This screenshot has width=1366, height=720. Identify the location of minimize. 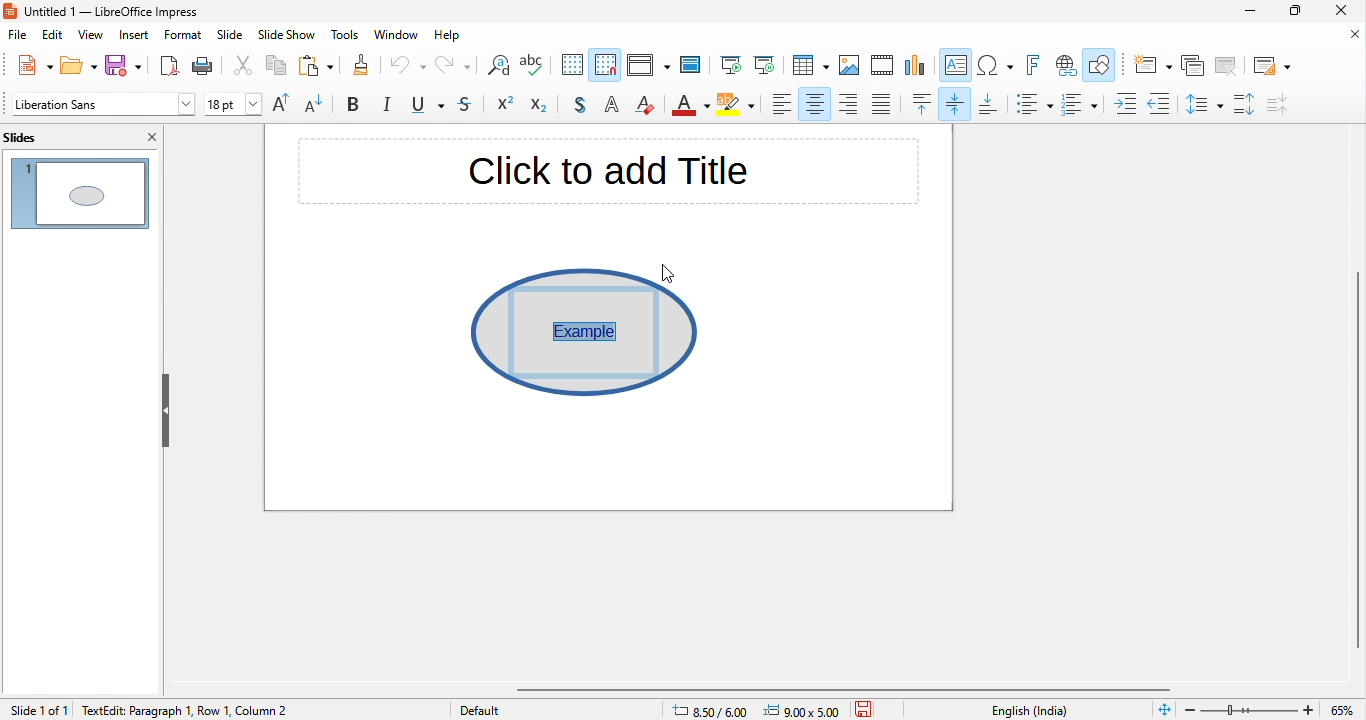
(1239, 14).